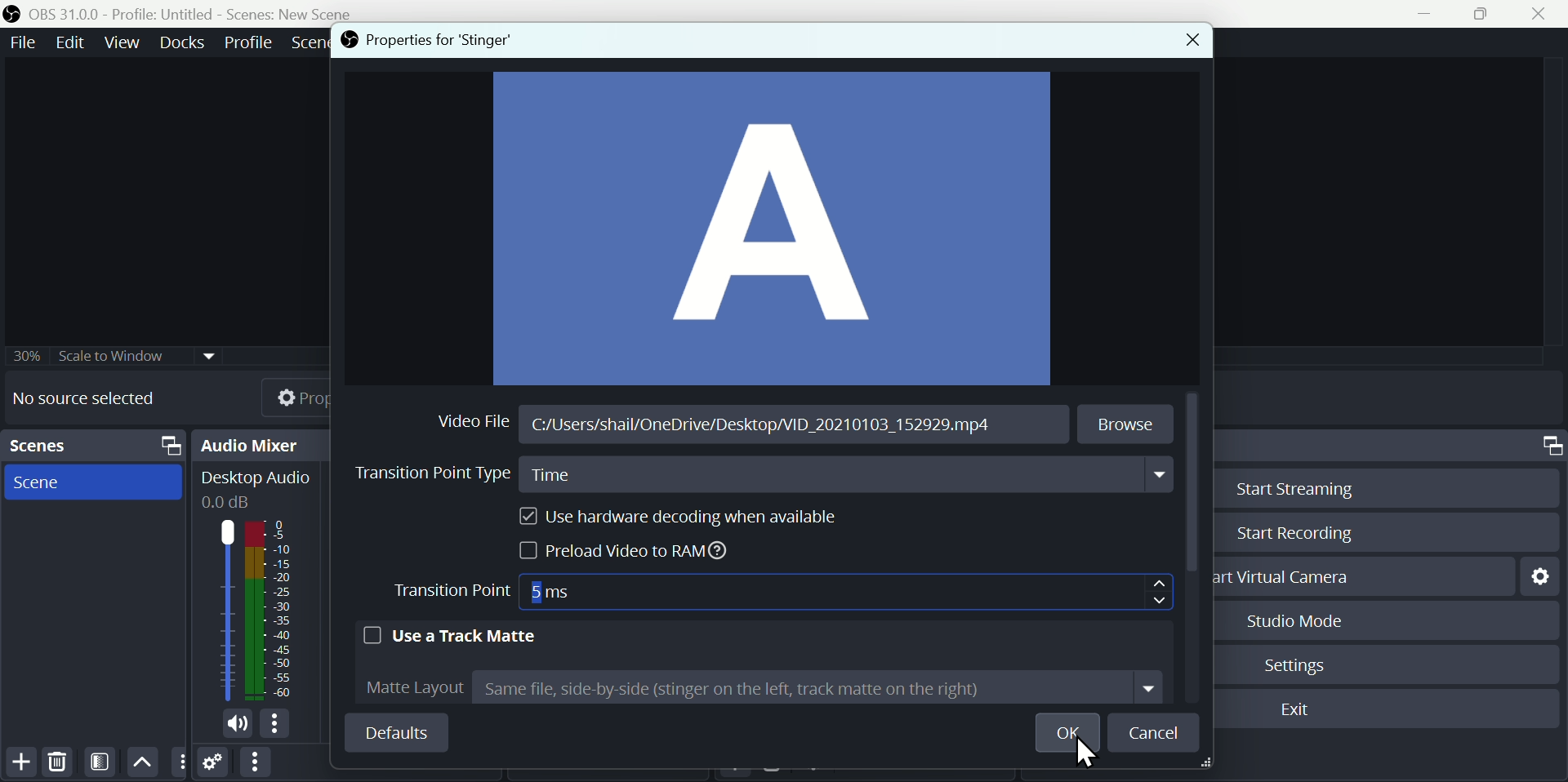 The height and width of the screenshot is (782, 1568). Describe the element at coordinates (1298, 711) in the screenshot. I see `Exit` at that location.